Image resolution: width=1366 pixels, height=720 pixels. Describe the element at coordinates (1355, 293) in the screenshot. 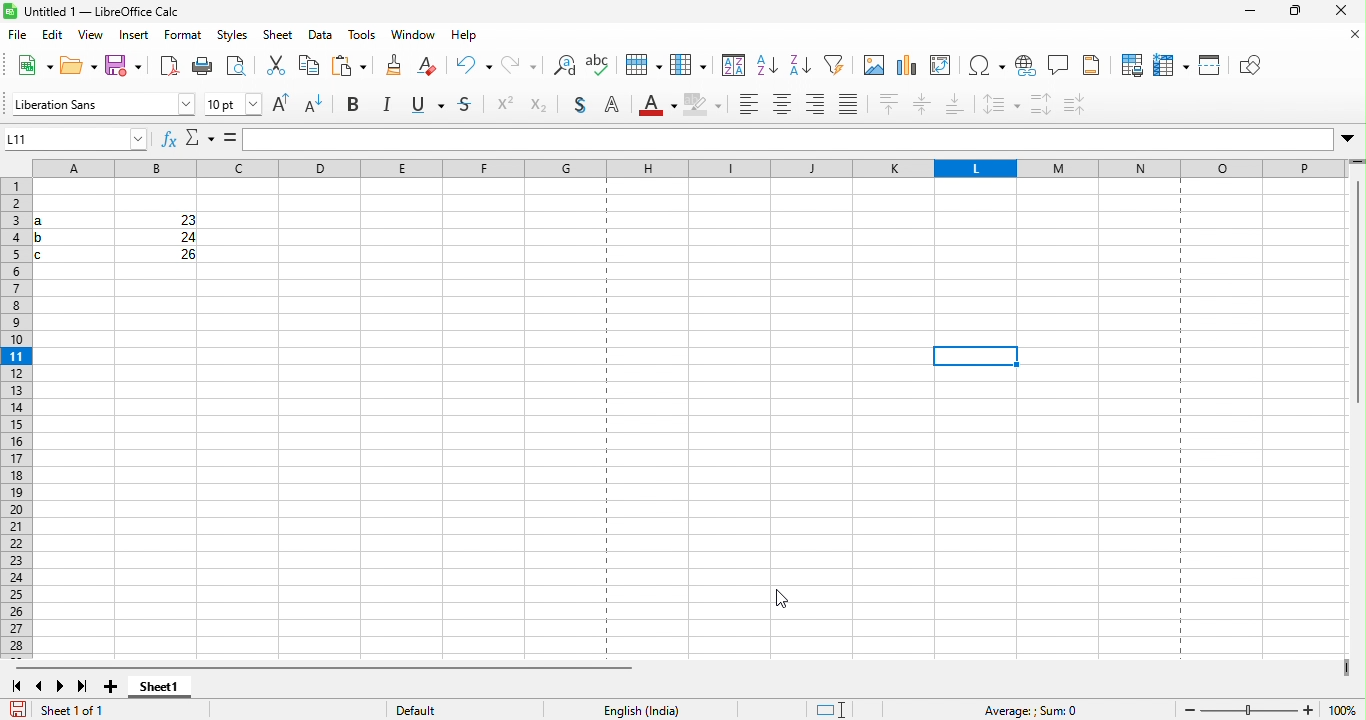

I see `vertical scroll bar` at that location.